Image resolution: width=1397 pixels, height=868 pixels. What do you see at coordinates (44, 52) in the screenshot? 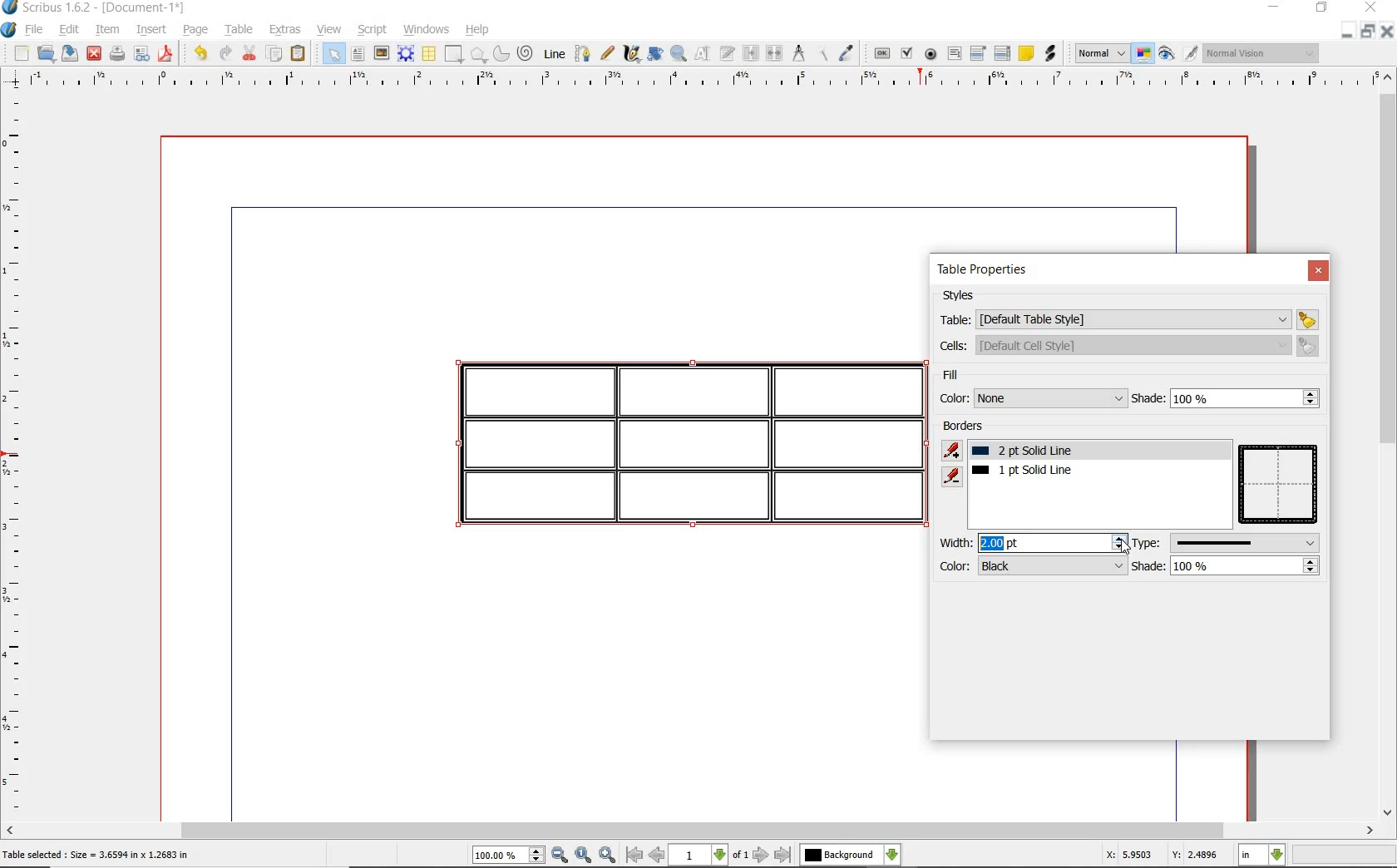
I see `open` at bounding box center [44, 52].